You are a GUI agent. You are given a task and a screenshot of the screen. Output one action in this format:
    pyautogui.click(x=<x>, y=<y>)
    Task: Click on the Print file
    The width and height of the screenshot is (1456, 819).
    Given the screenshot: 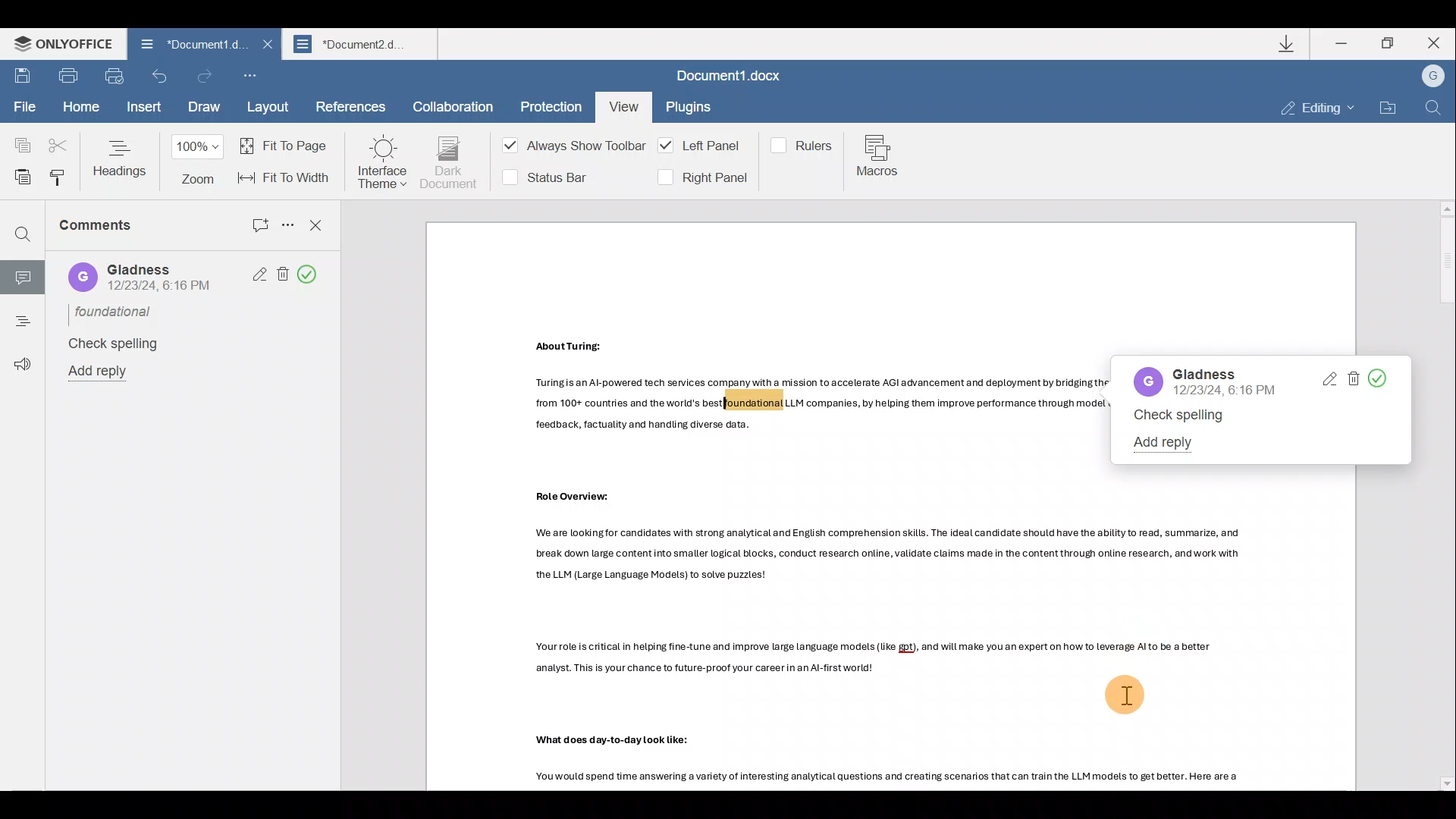 What is the action you would take?
    pyautogui.click(x=72, y=78)
    